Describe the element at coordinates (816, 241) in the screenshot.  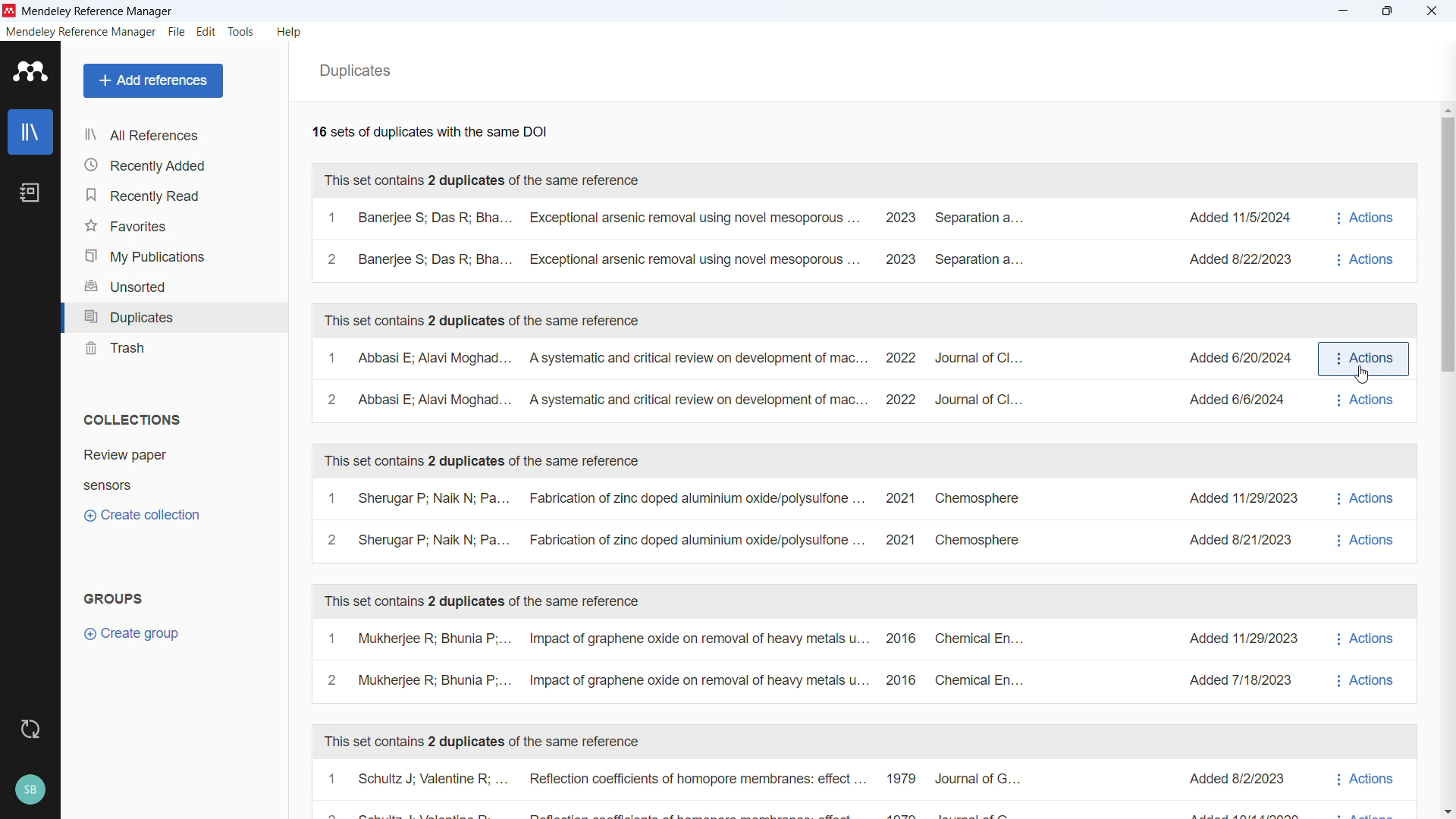
I see `A set of duplicates ` at that location.